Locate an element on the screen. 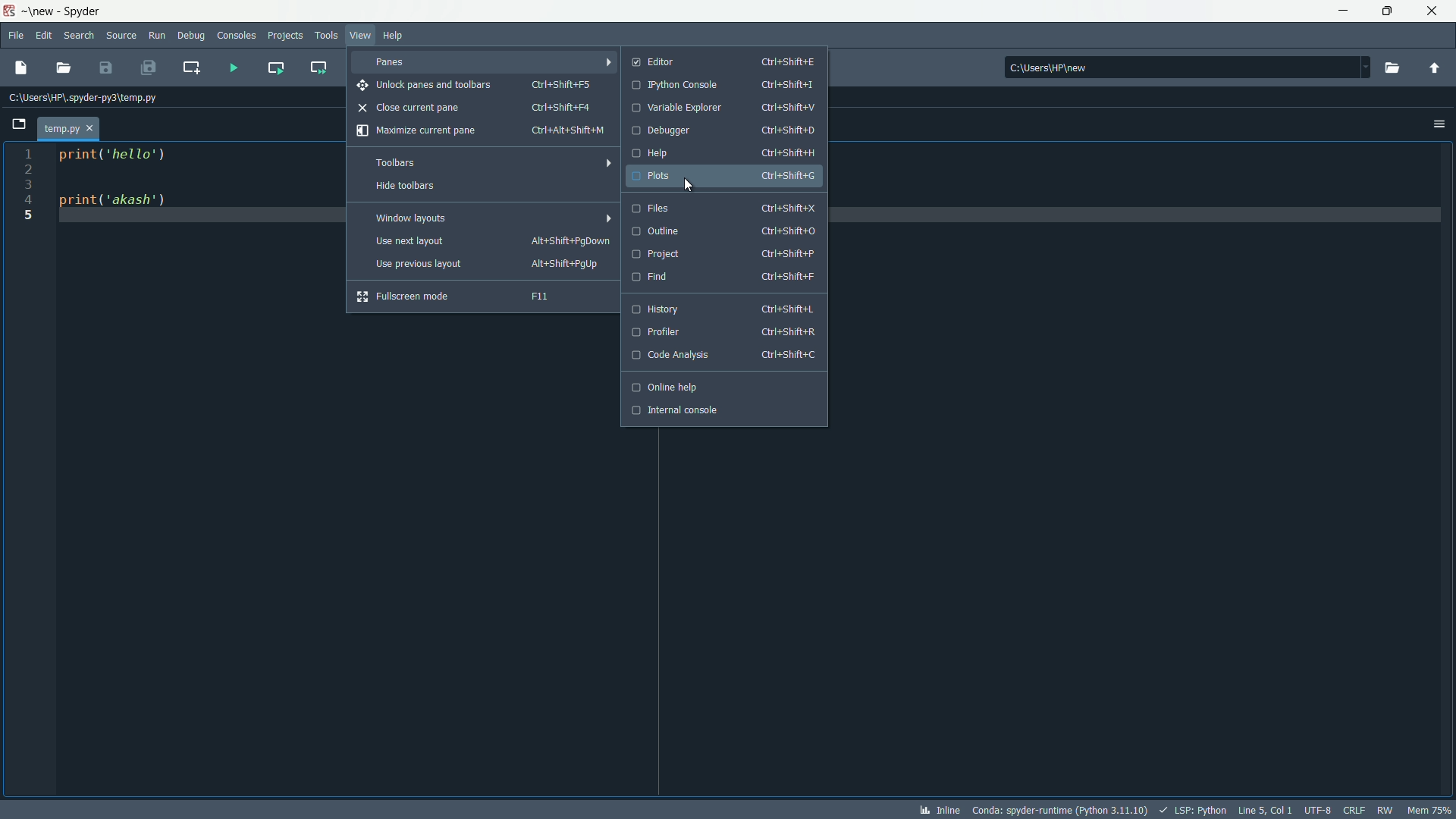 This screenshot has height=819, width=1456. file menu is located at coordinates (15, 35).